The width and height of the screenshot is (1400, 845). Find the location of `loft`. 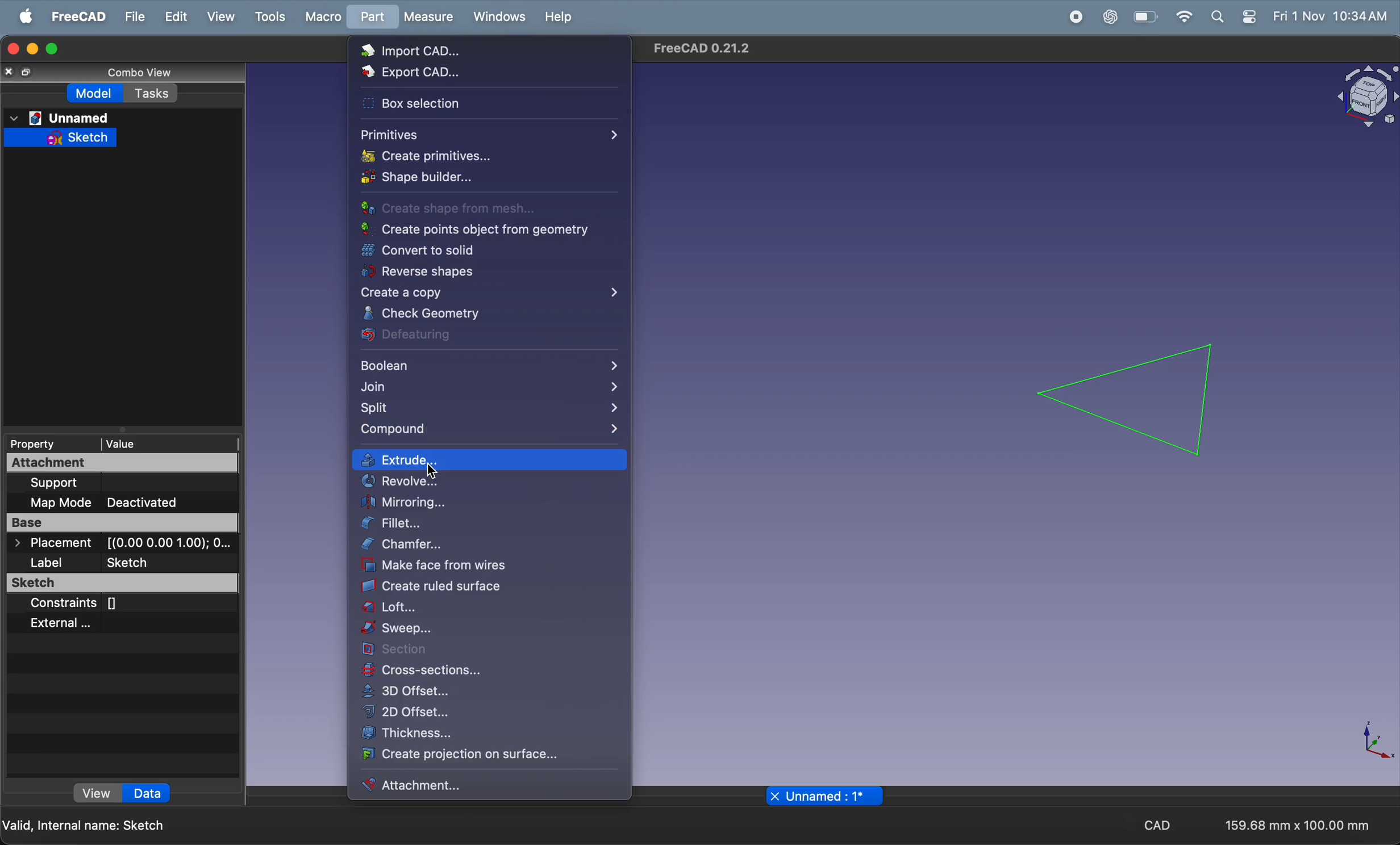

loft is located at coordinates (489, 609).